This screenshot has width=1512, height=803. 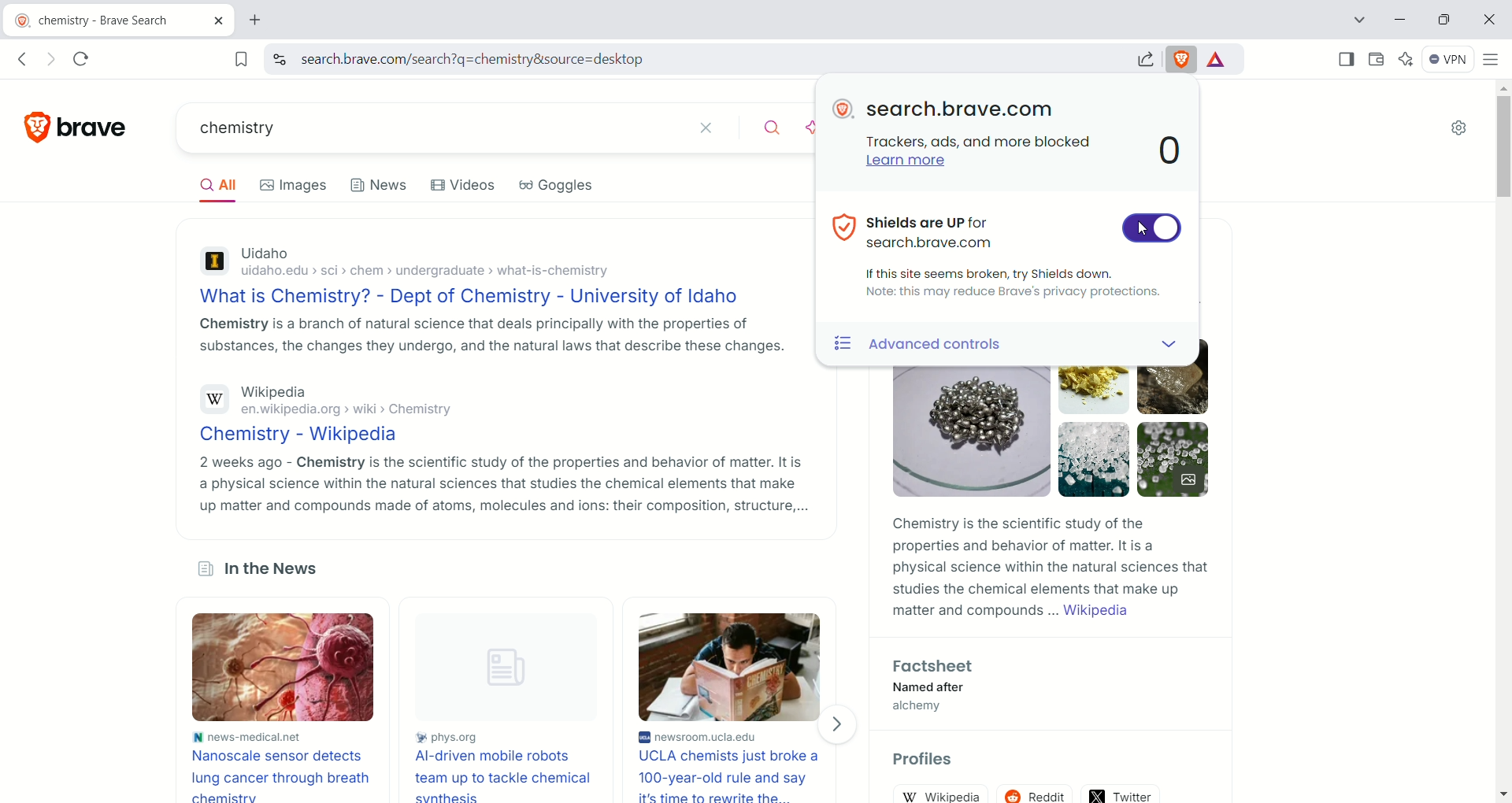 I want to click on restore, so click(x=1444, y=19).